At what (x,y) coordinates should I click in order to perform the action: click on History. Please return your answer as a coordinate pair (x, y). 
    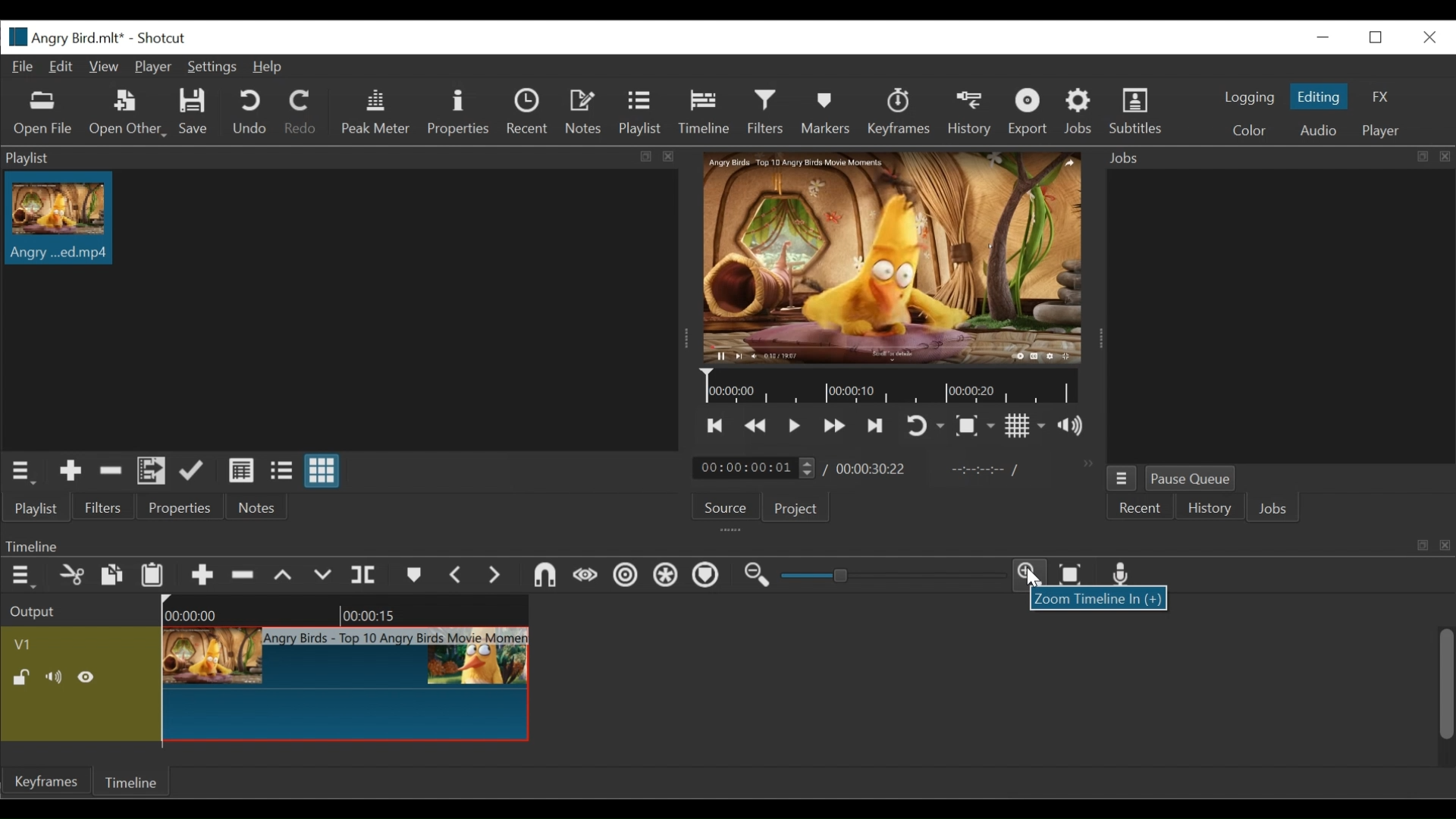
    Looking at the image, I should click on (971, 113).